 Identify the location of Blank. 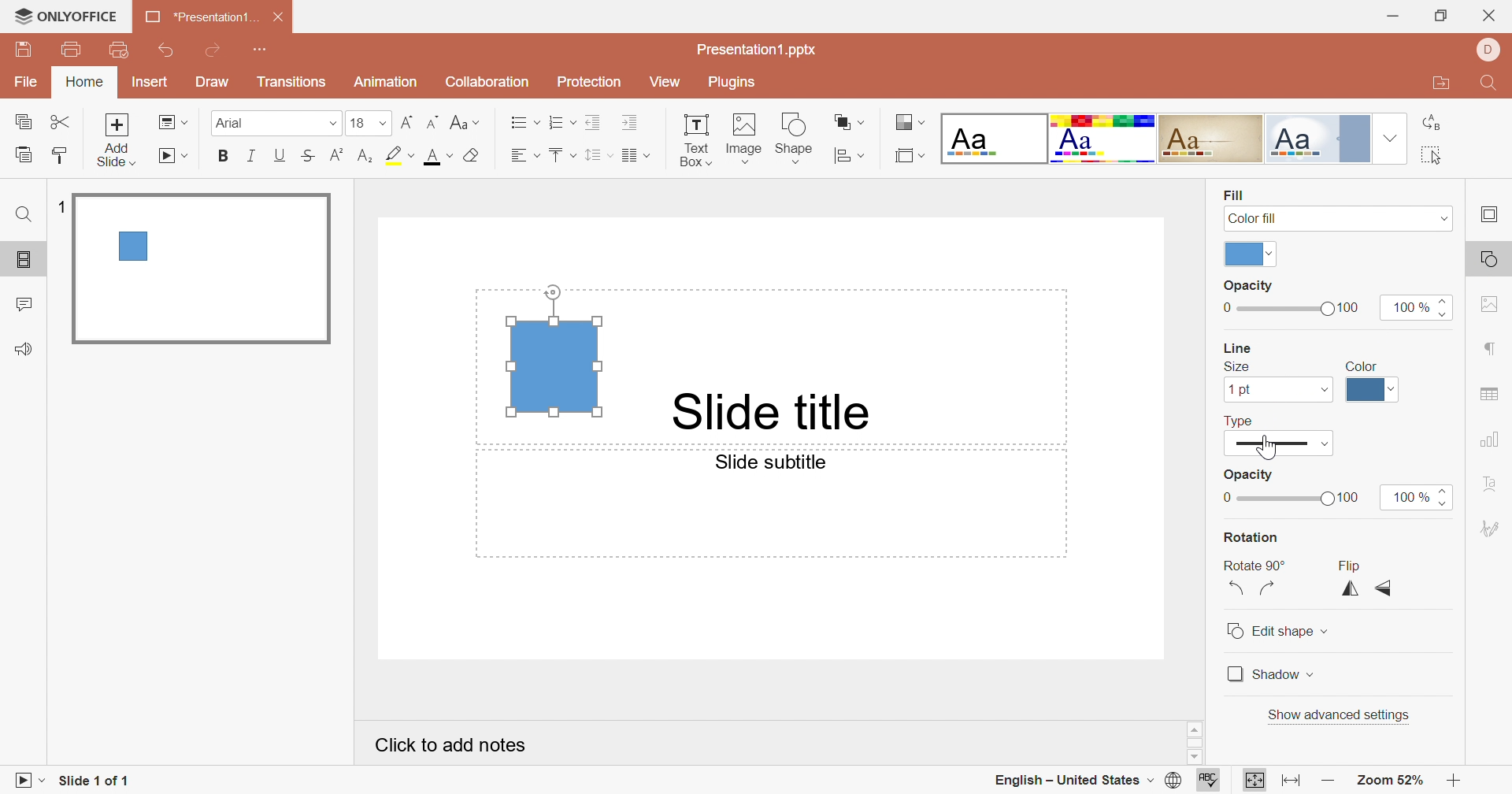
(993, 140).